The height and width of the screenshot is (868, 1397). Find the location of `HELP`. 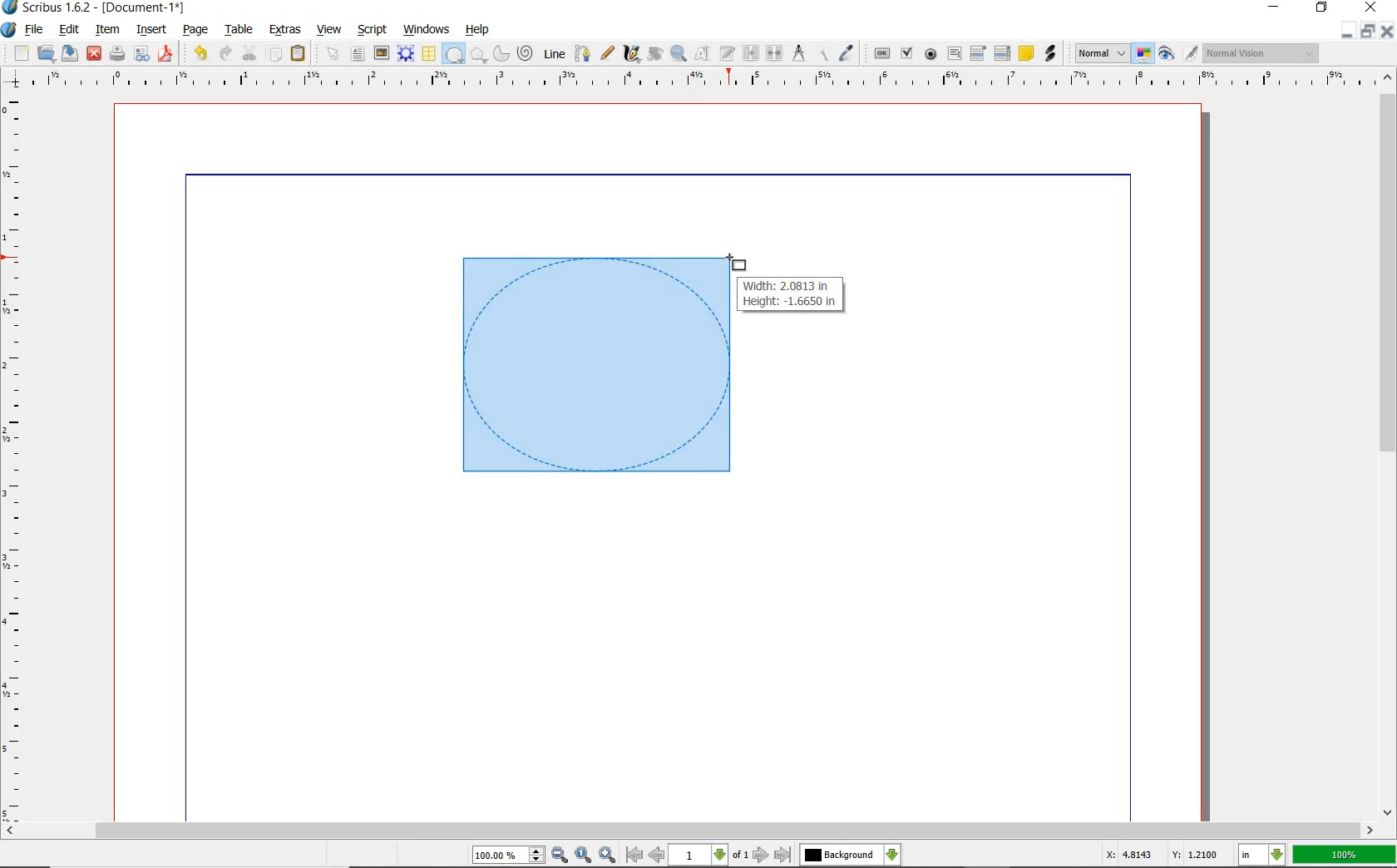

HELP is located at coordinates (481, 28).